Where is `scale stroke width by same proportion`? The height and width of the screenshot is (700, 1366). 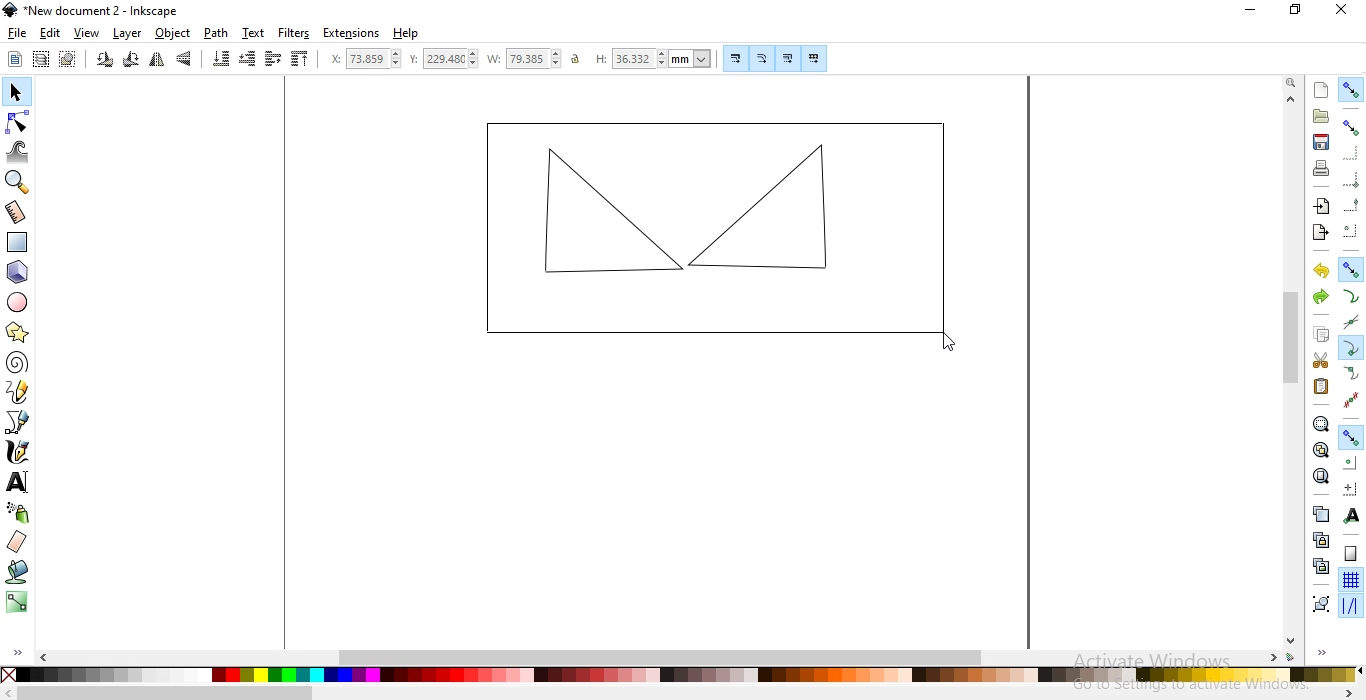
scale stroke width by same proportion is located at coordinates (733, 58).